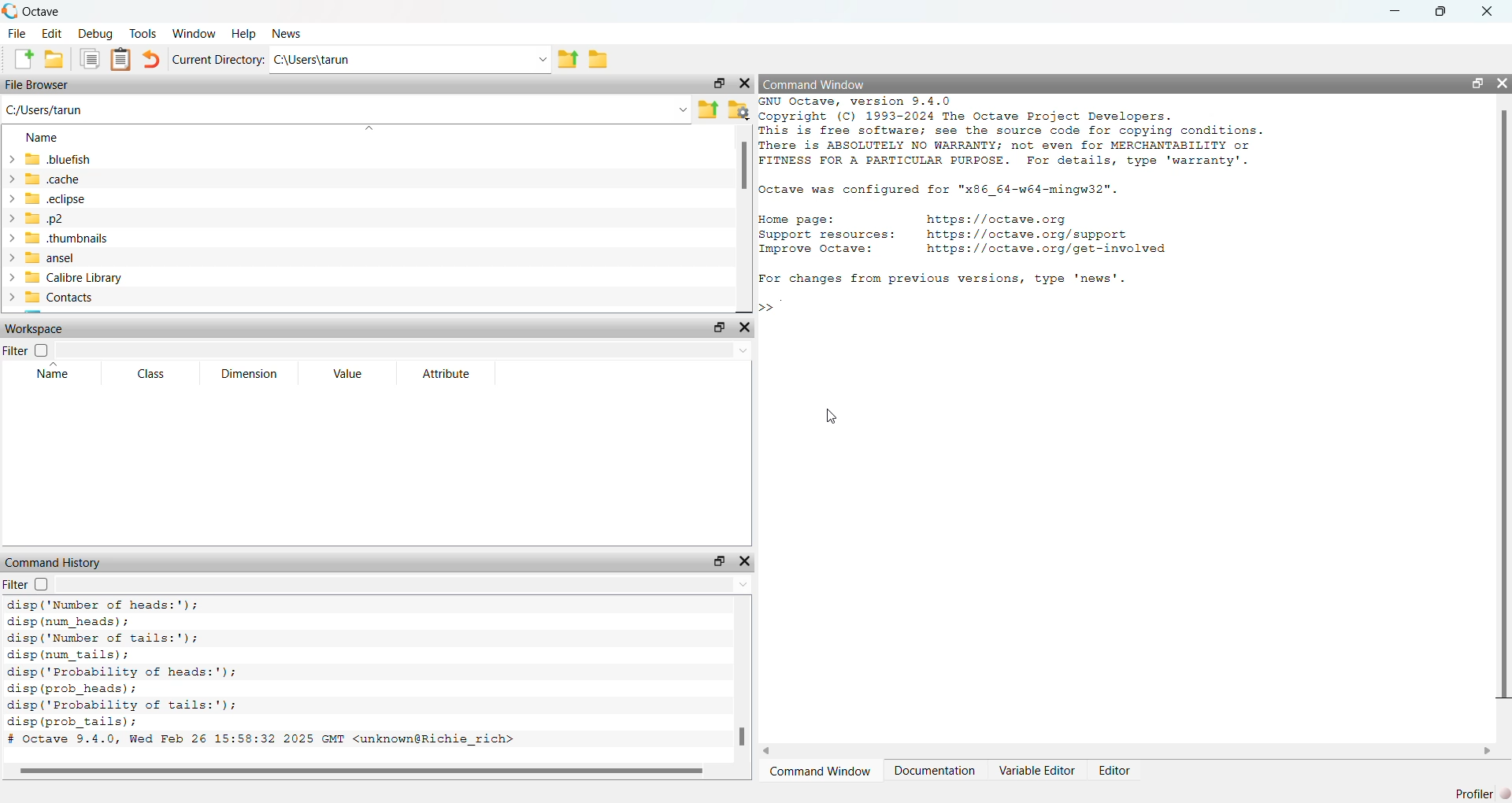  Describe the element at coordinates (244, 32) in the screenshot. I see `Help` at that location.